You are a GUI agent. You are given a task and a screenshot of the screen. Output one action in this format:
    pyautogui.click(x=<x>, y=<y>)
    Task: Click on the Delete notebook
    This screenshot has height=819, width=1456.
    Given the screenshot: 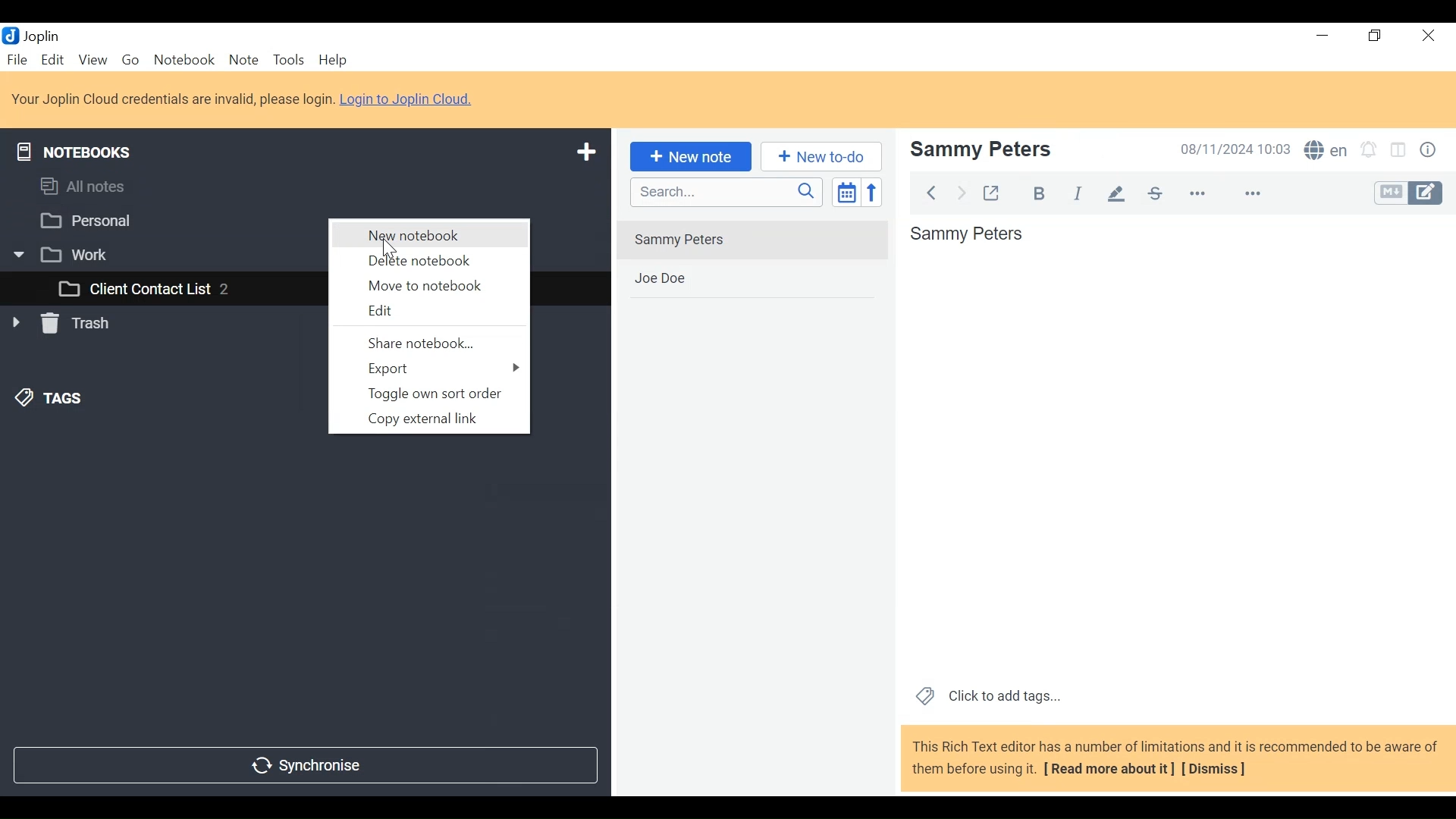 What is the action you would take?
    pyautogui.click(x=431, y=261)
    